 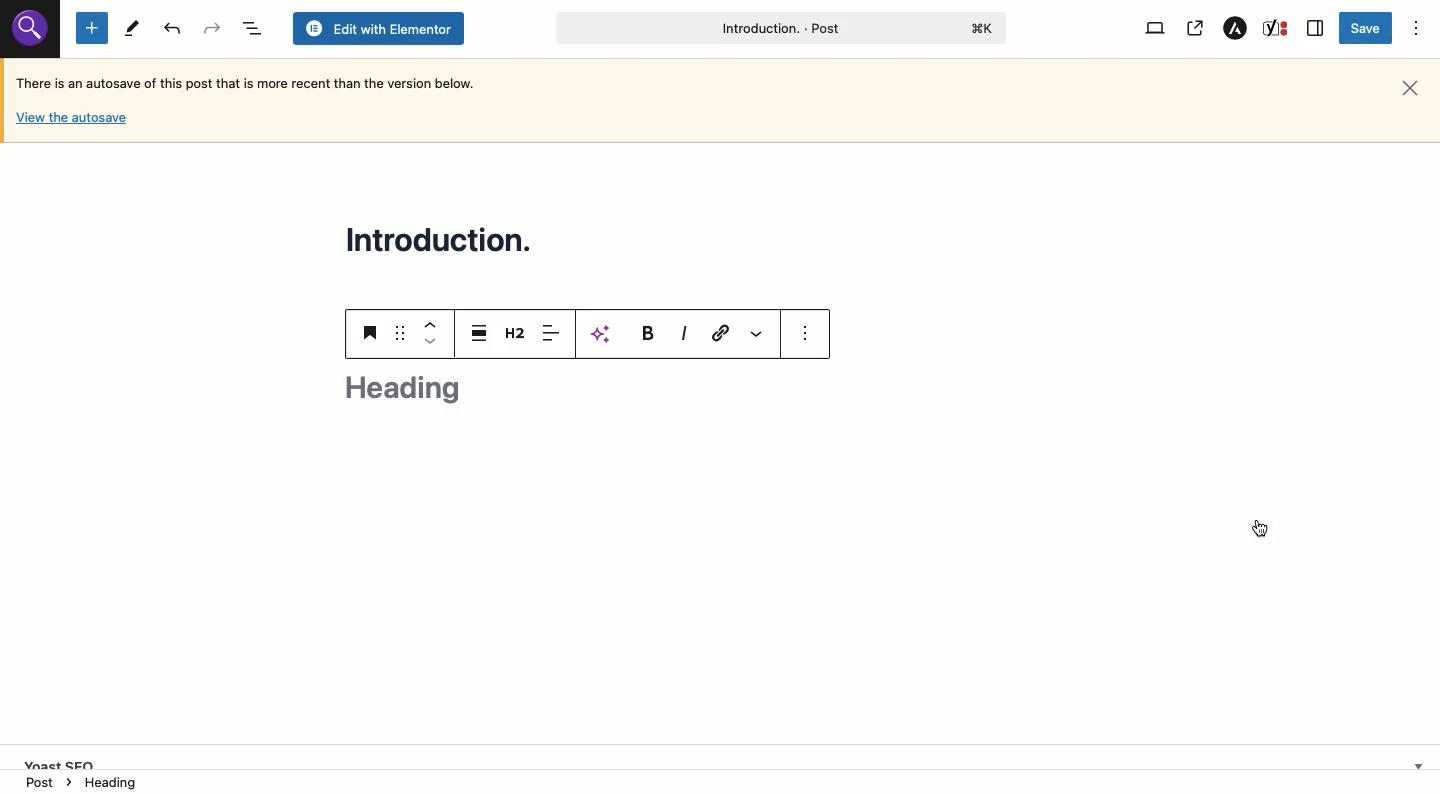 What do you see at coordinates (211, 28) in the screenshot?
I see `Undo` at bounding box center [211, 28].